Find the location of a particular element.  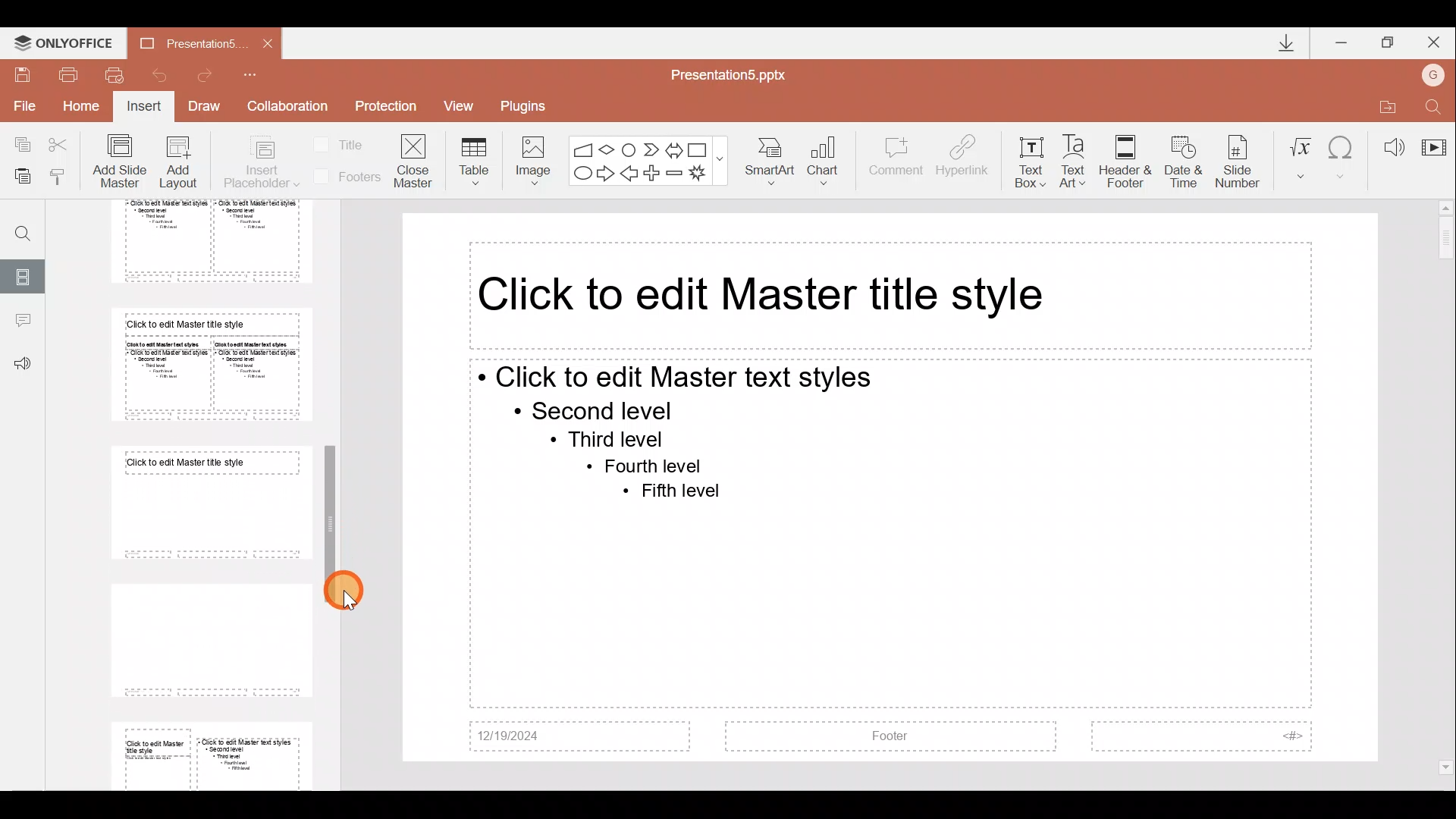

Cursor is located at coordinates (345, 590).